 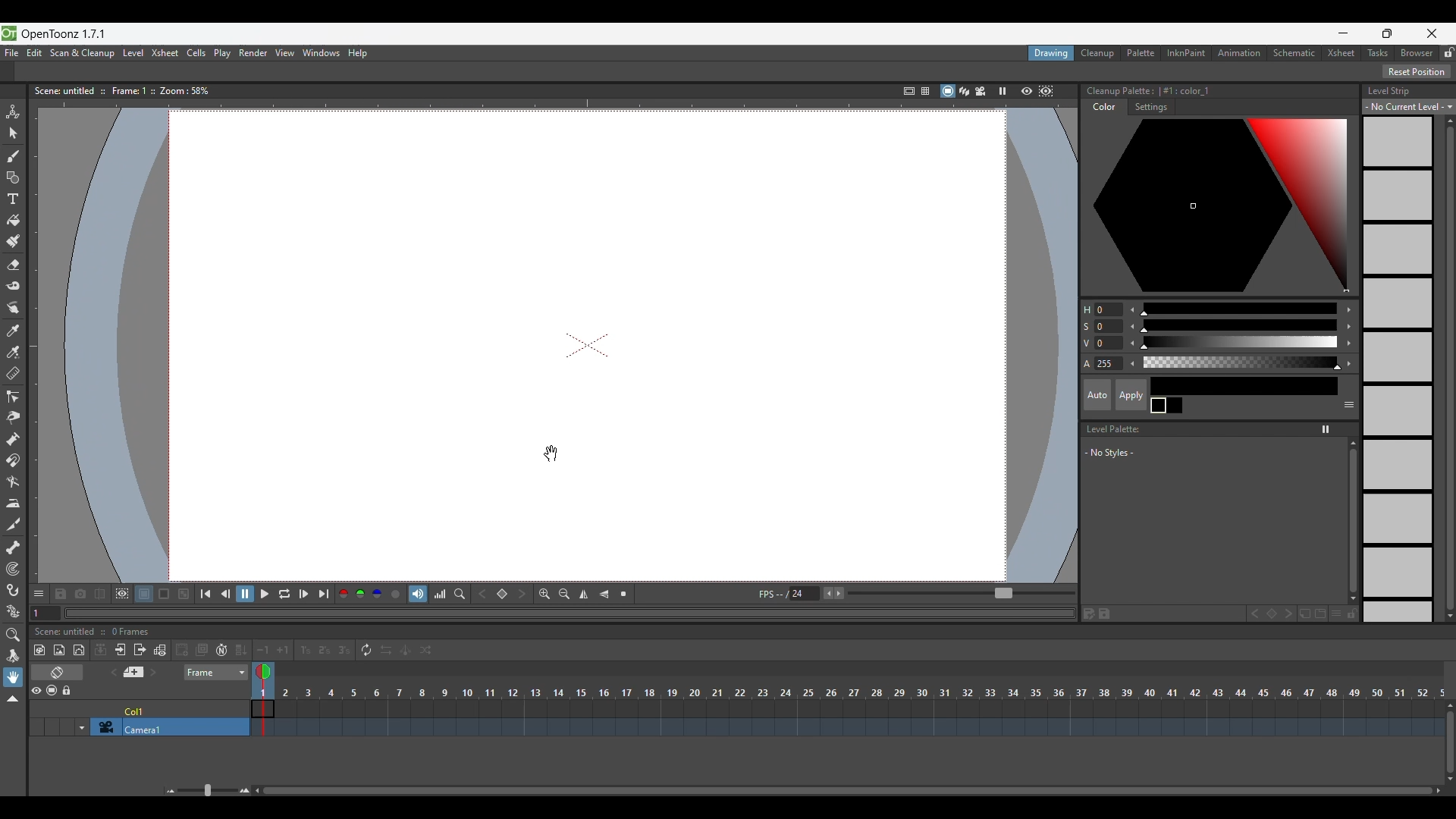 I want to click on Selection tool, so click(x=12, y=133).